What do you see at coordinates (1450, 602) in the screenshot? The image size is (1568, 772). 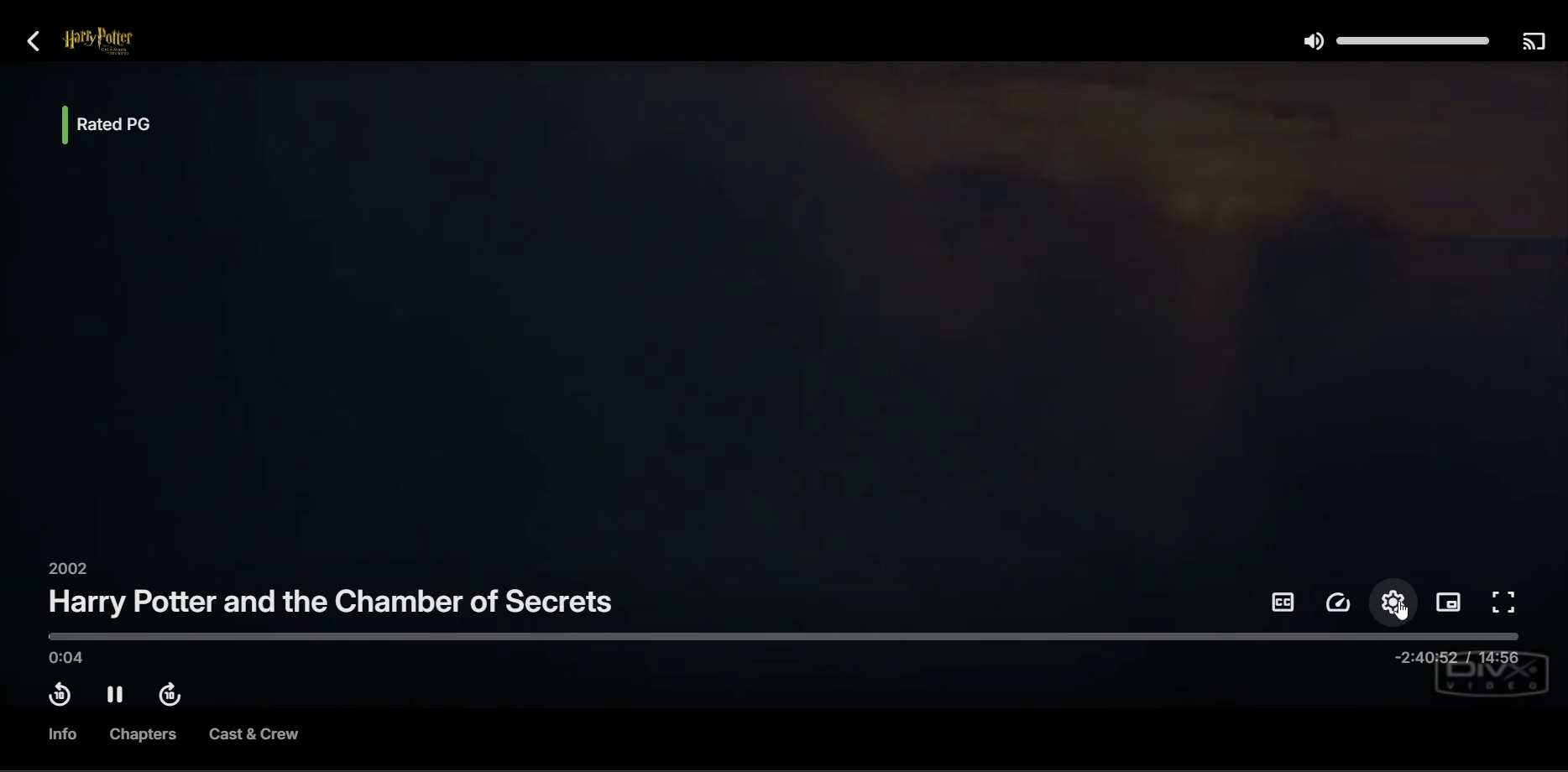 I see `Picture in picture` at bounding box center [1450, 602].